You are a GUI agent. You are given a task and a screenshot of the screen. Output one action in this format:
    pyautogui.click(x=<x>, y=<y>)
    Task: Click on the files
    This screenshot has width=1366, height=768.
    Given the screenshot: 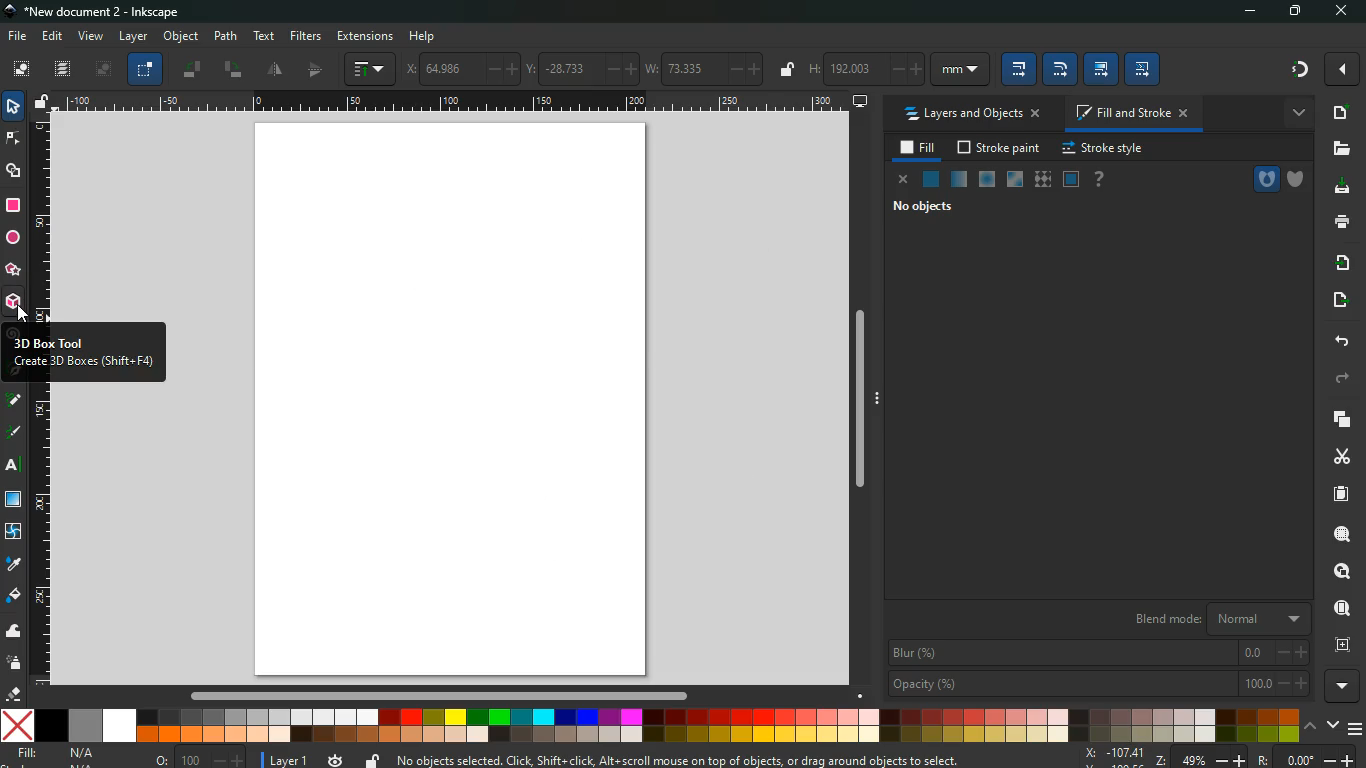 What is the action you would take?
    pyautogui.click(x=1339, y=150)
    